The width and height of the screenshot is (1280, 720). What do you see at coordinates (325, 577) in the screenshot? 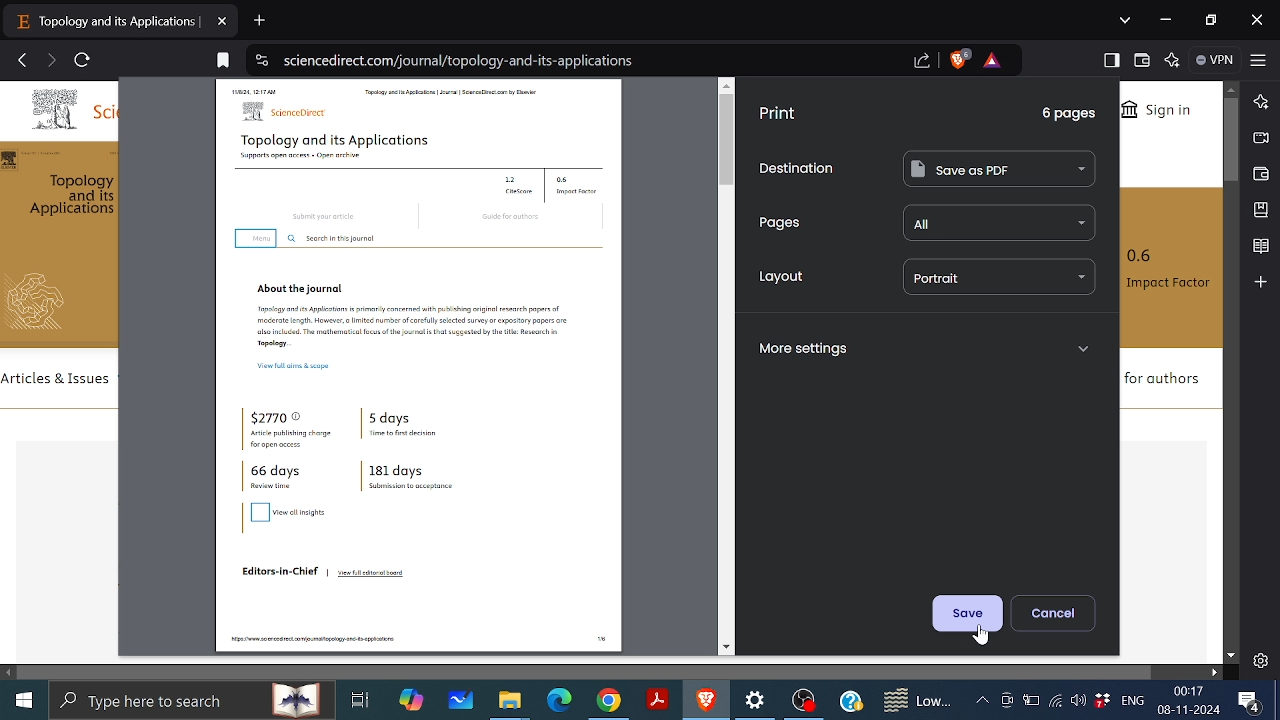
I see `Editors-in-Chief | View full editorial board` at bounding box center [325, 577].